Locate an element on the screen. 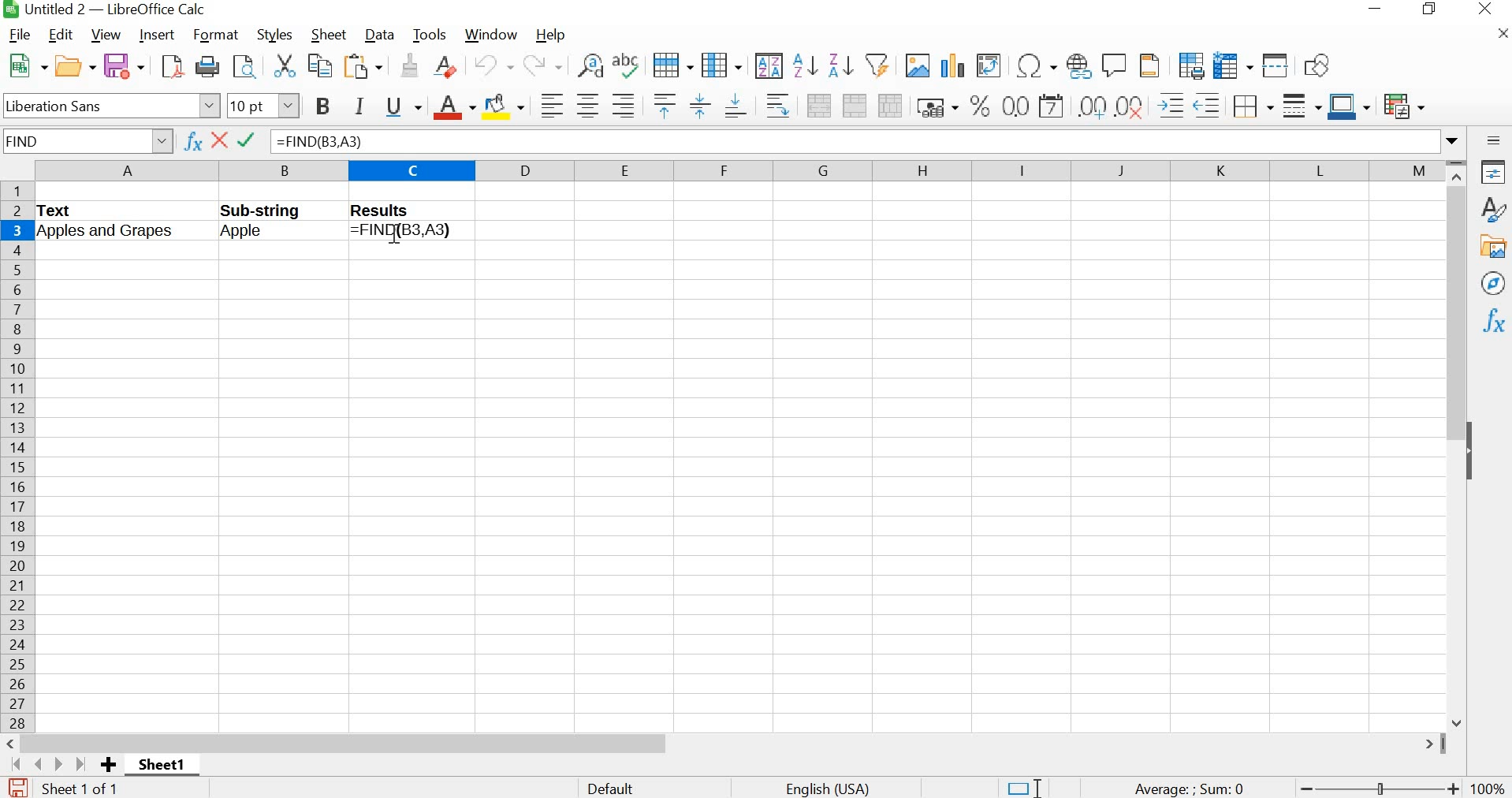 This screenshot has height=798, width=1512. insert hyperlink is located at coordinates (1077, 65).